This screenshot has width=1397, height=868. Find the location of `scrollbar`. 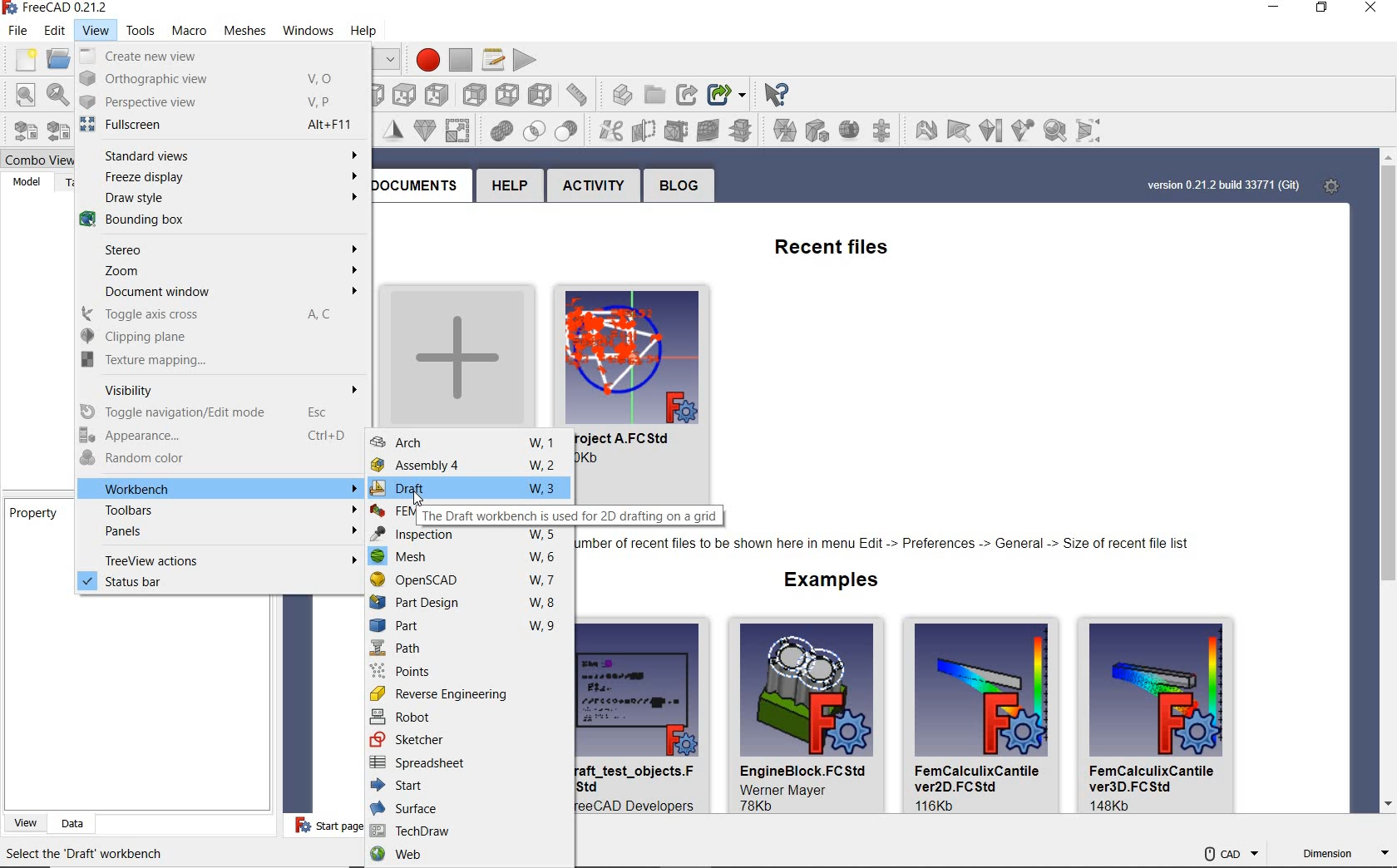

scrollbar is located at coordinates (1386, 484).